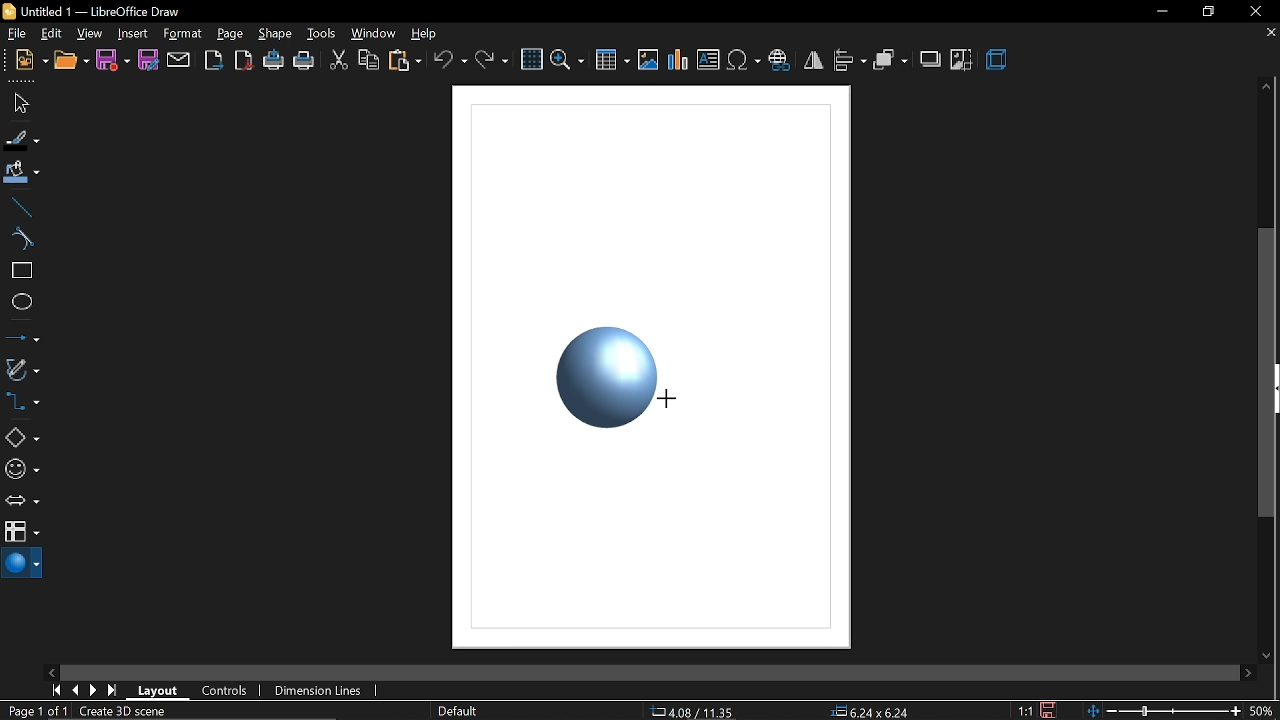 This screenshot has width=1280, height=720. I want to click on go to first page, so click(58, 692).